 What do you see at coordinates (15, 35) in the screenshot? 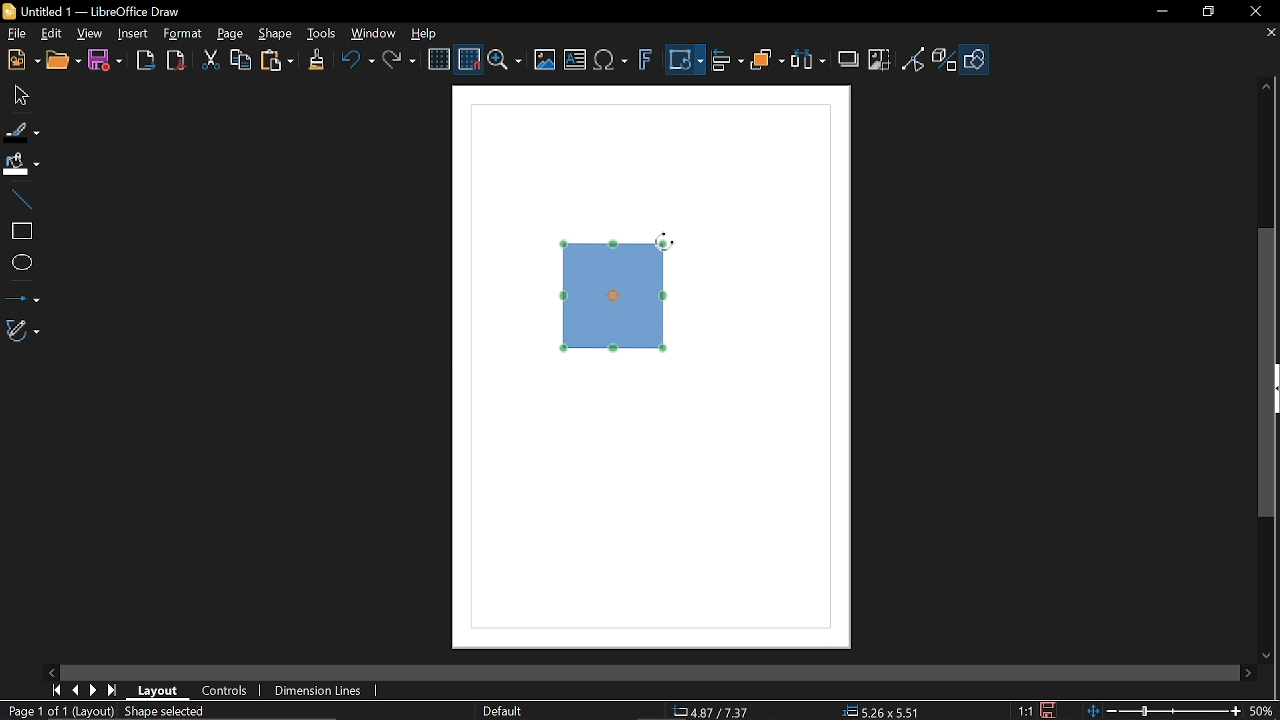
I see `File` at bounding box center [15, 35].